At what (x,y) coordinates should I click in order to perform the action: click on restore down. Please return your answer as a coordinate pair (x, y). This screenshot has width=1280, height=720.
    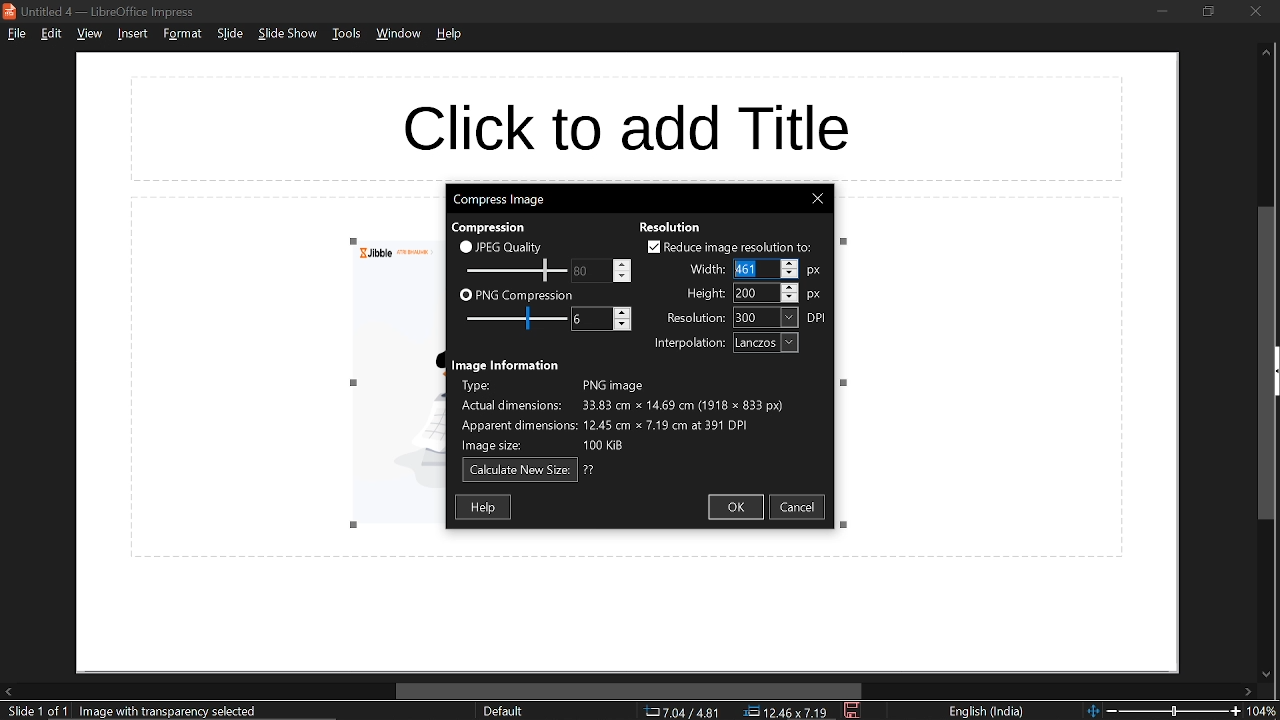
    Looking at the image, I should click on (1210, 12).